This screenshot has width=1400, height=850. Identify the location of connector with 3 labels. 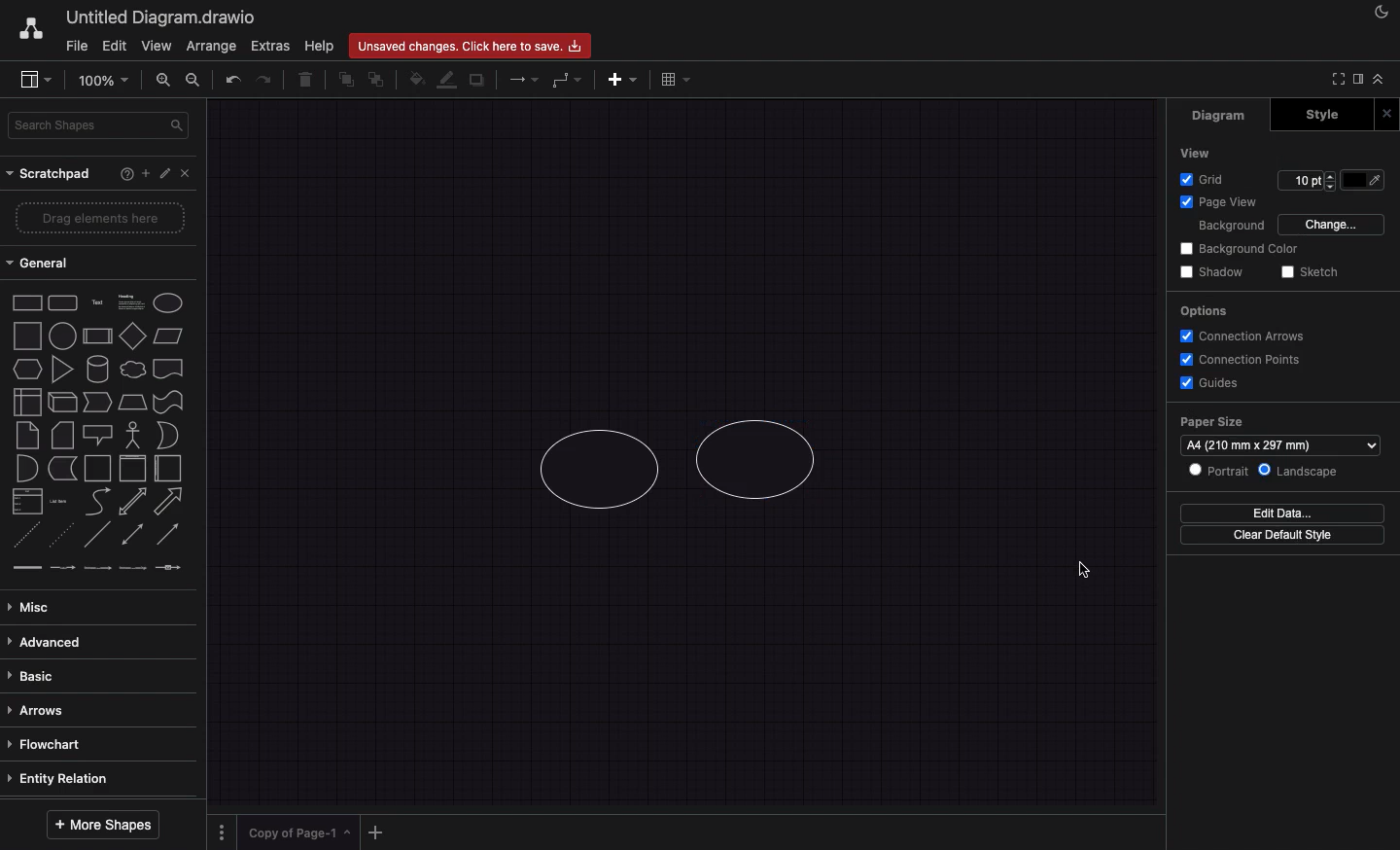
(130, 568).